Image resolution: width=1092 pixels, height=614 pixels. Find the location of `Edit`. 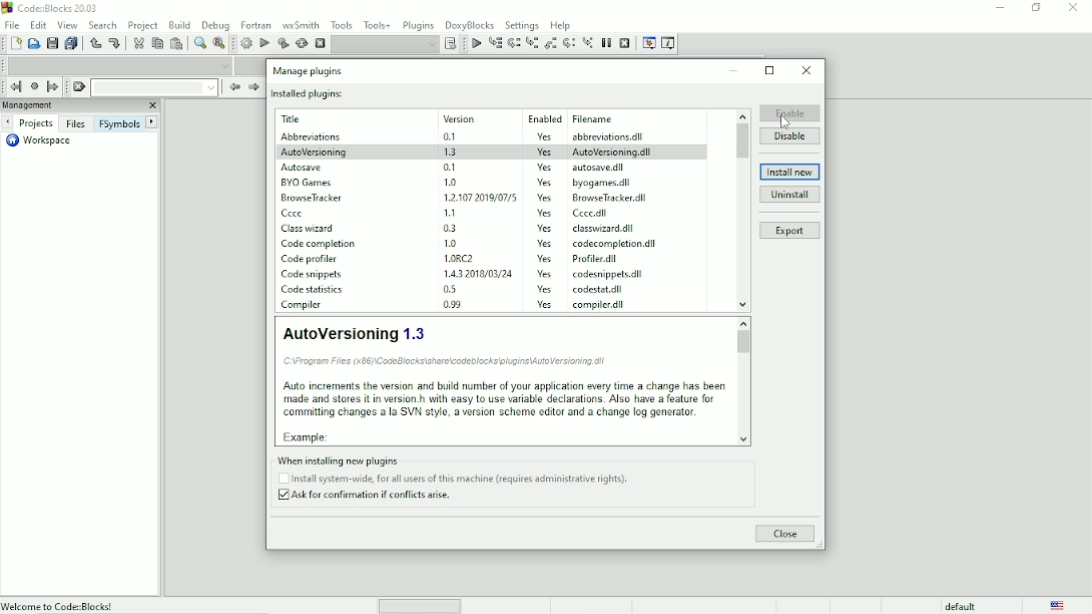

Edit is located at coordinates (39, 25).